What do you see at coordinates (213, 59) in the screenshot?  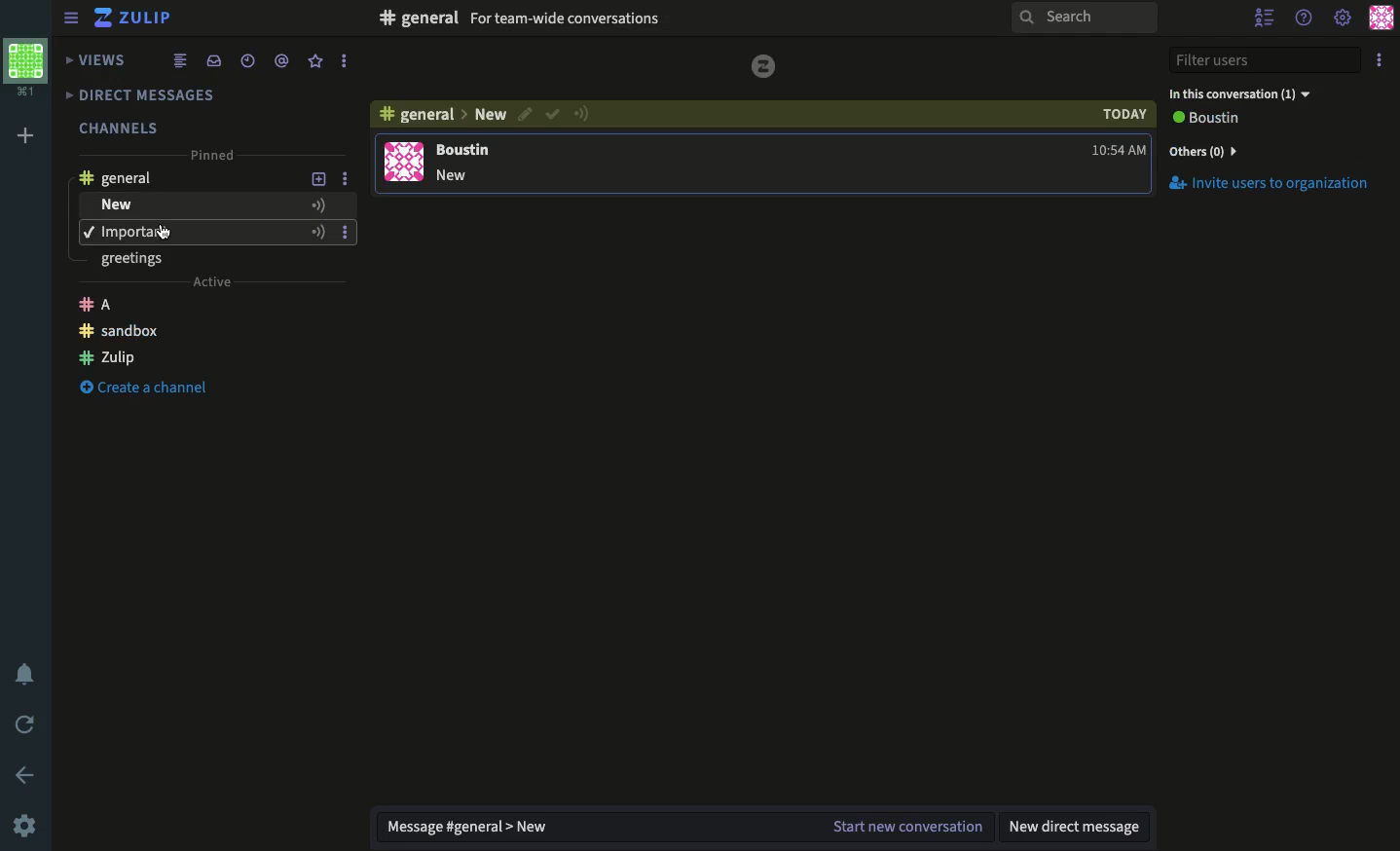 I see `Inbox` at bounding box center [213, 59].